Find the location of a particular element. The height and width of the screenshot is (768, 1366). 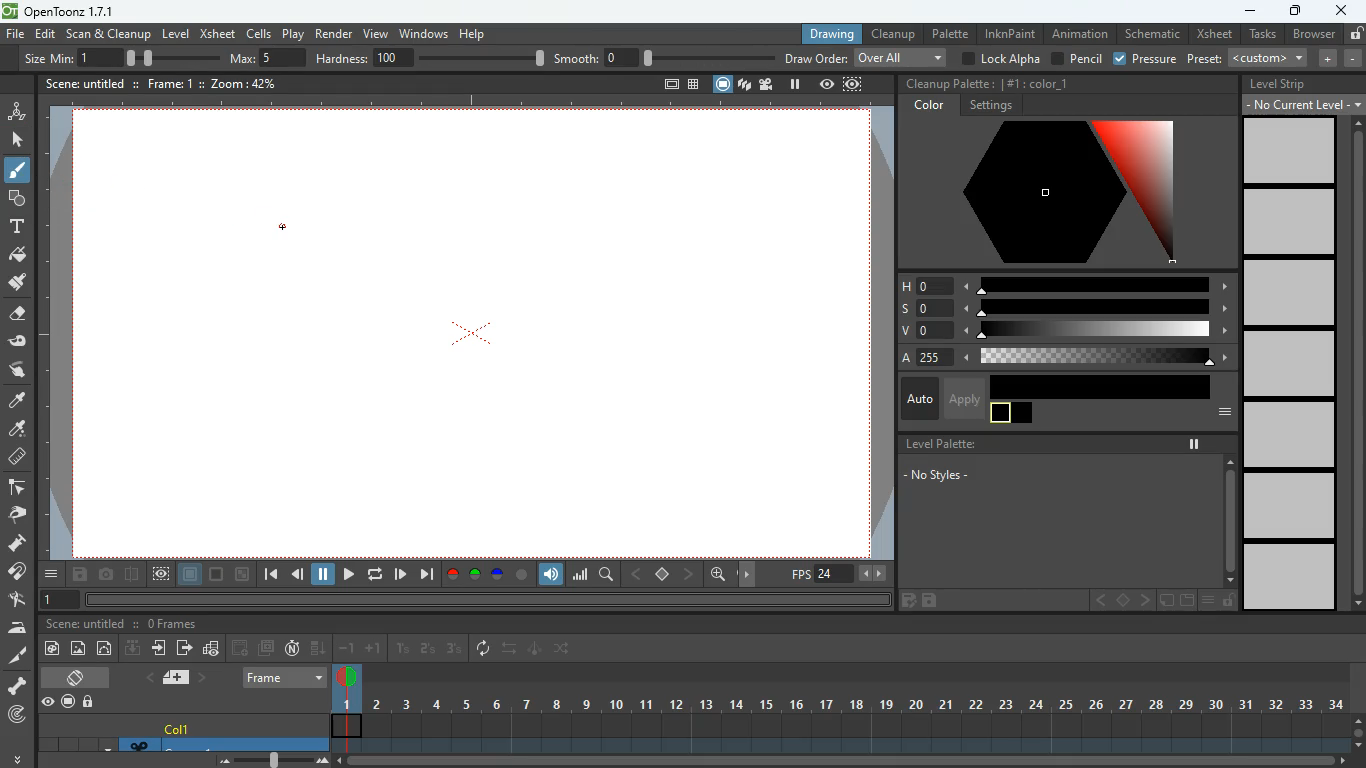

frame is located at coordinates (170, 83).